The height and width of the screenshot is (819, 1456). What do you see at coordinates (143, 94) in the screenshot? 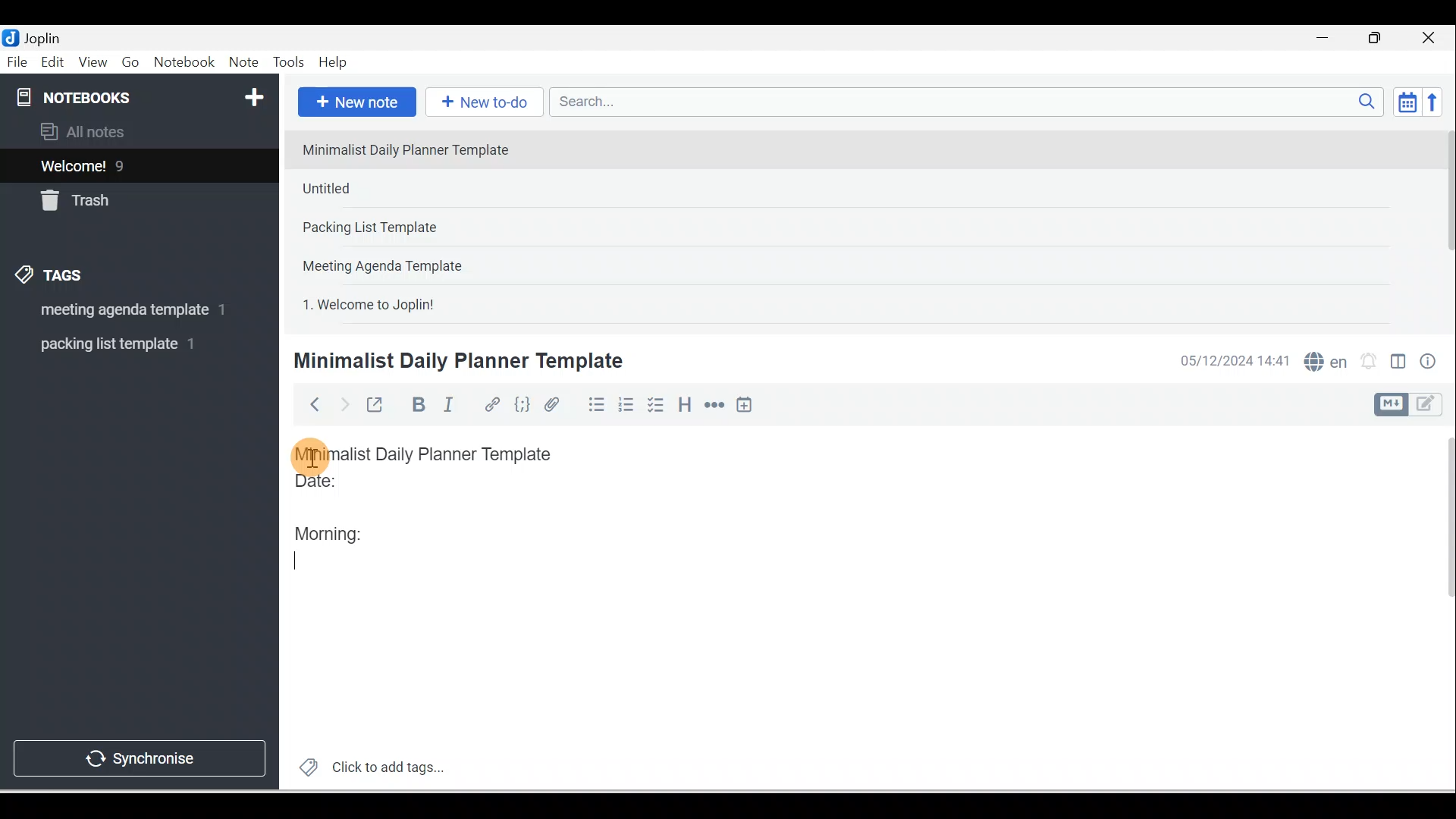
I see `Notebooks` at bounding box center [143, 94].